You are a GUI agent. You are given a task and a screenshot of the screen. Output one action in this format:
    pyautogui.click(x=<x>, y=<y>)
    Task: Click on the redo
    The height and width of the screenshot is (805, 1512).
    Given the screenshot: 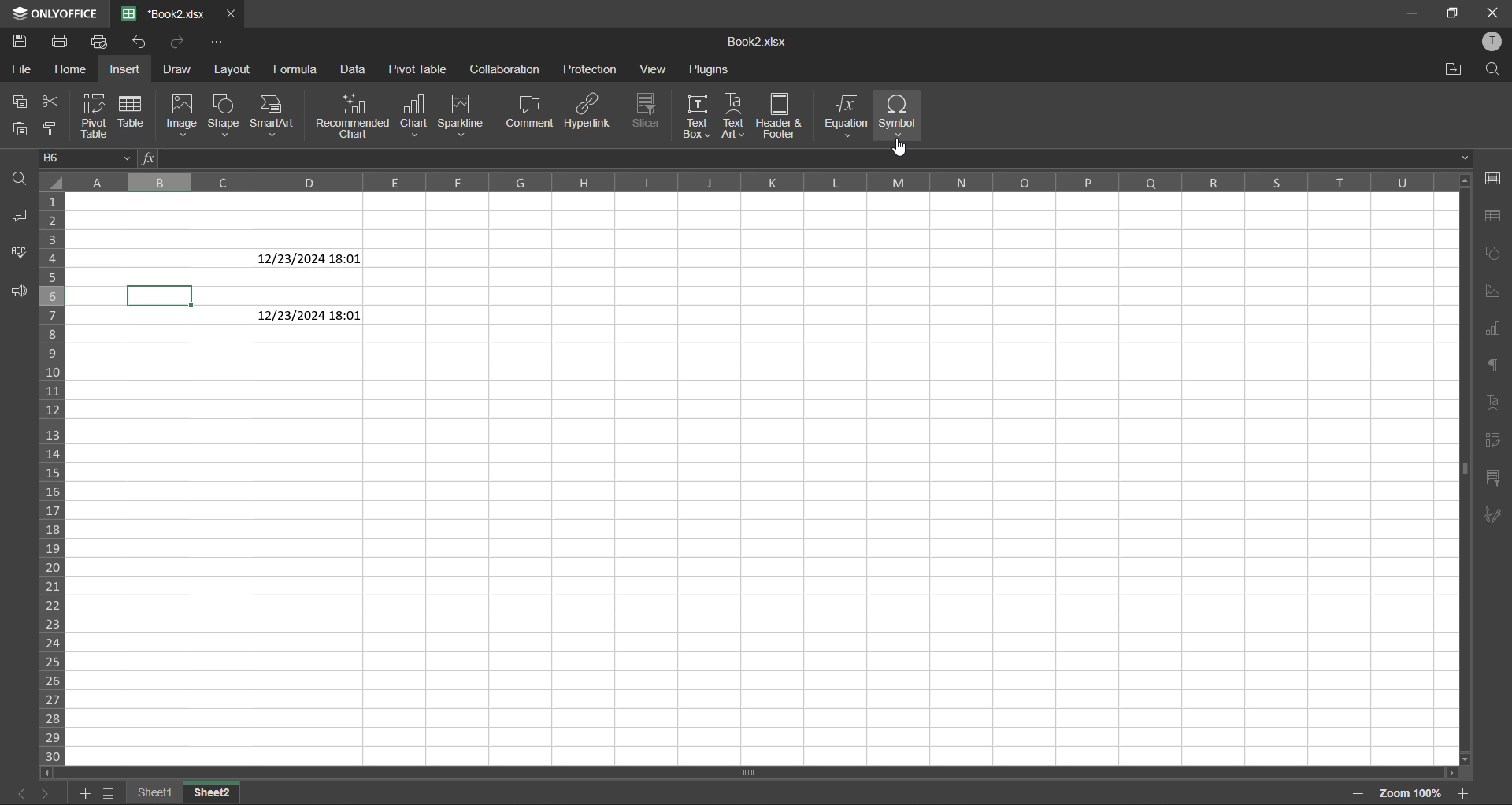 What is the action you would take?
    pyautogui.click(x=142, y=43)
    